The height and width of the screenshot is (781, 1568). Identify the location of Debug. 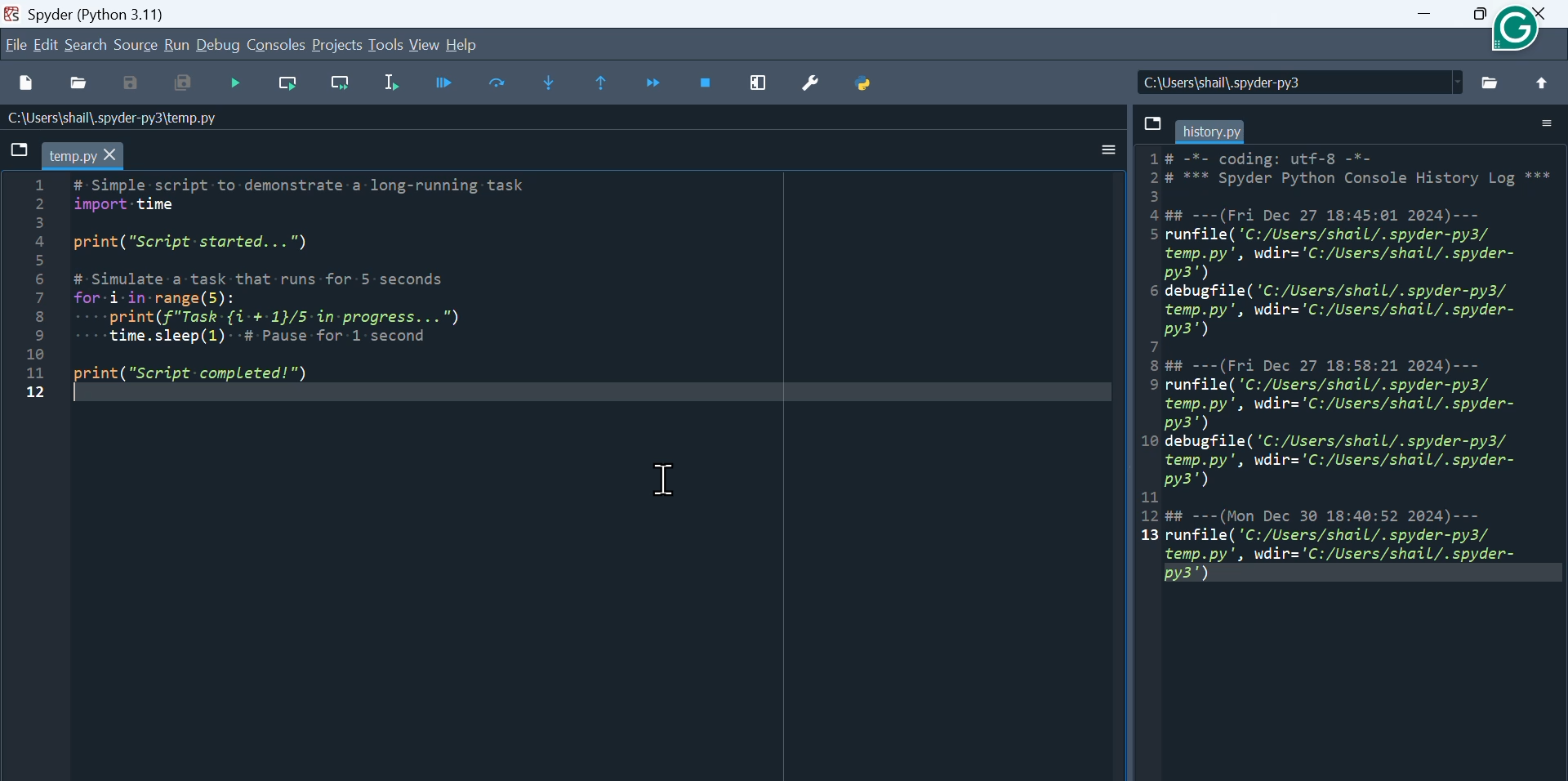
(217, 44).